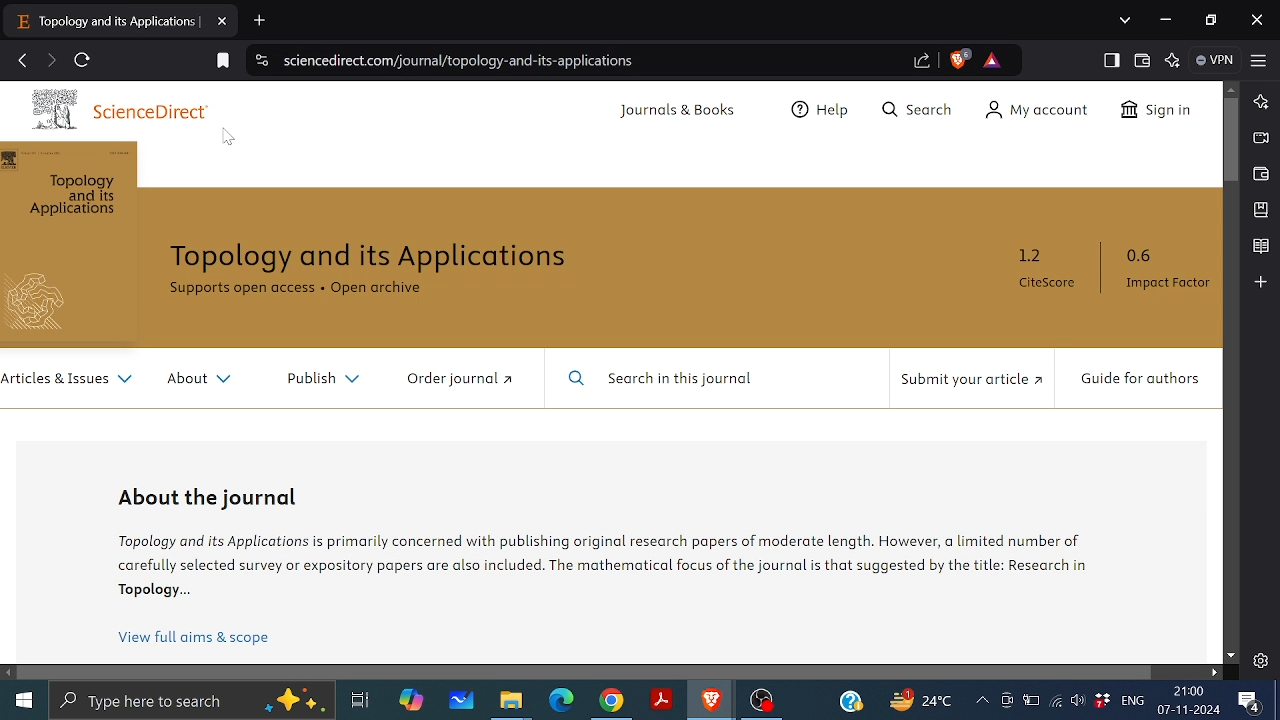  I want to click on , so click(1126, 20).